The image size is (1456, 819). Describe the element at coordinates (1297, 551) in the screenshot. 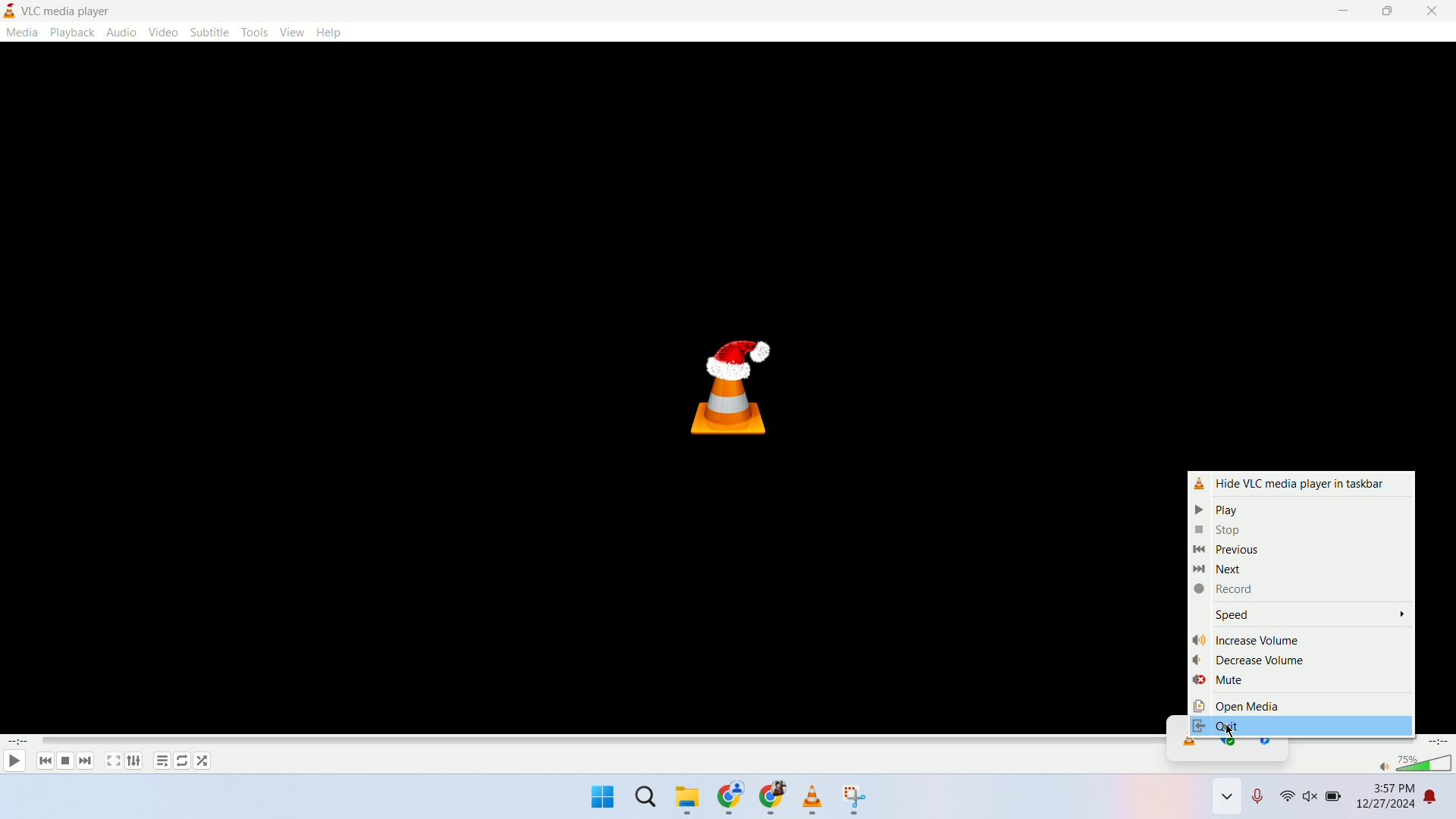

I see `previous` at that location.